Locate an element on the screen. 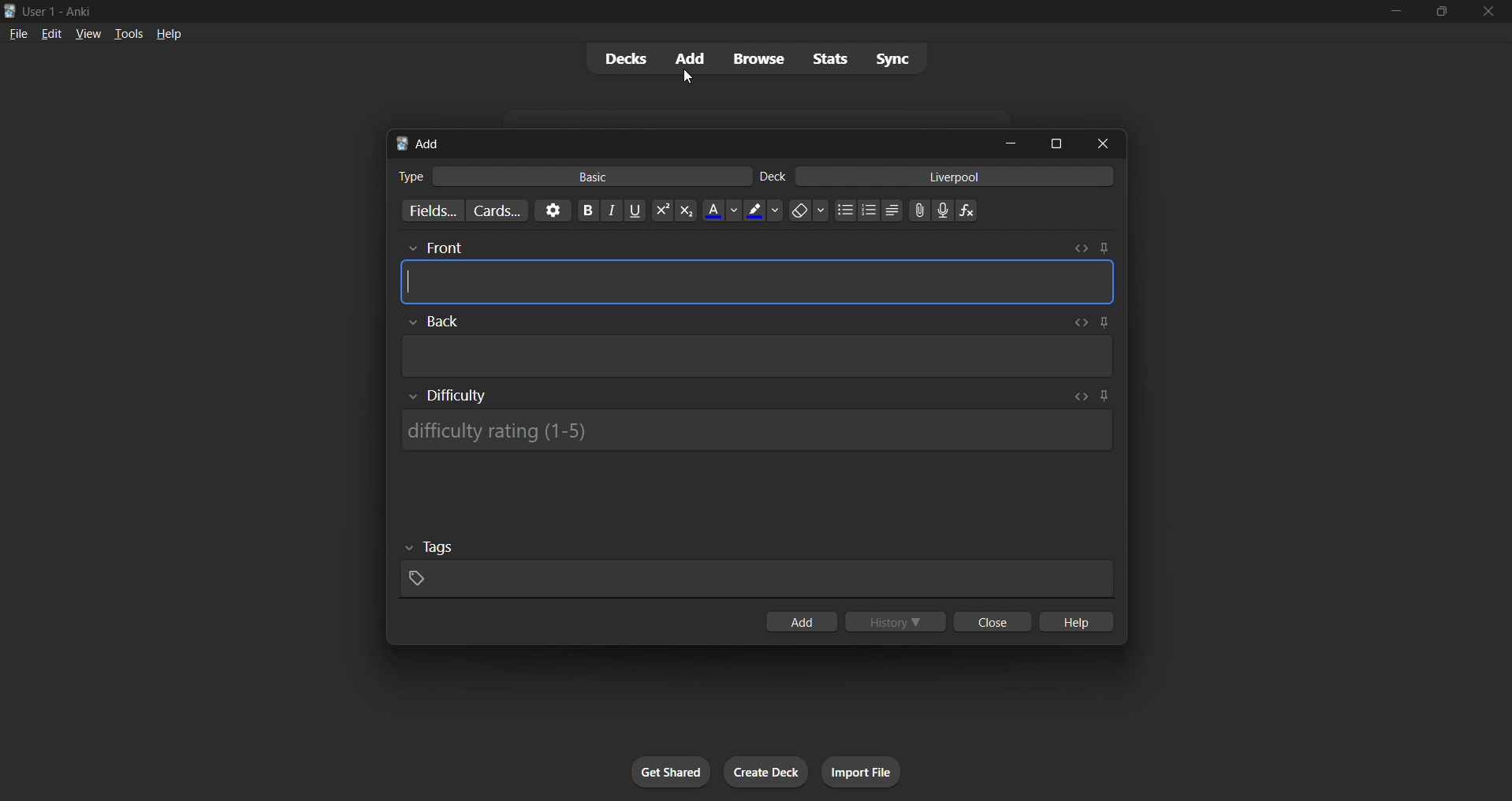 This screenshot has height=801, width=1512. history is located at coordinates (898, 623).